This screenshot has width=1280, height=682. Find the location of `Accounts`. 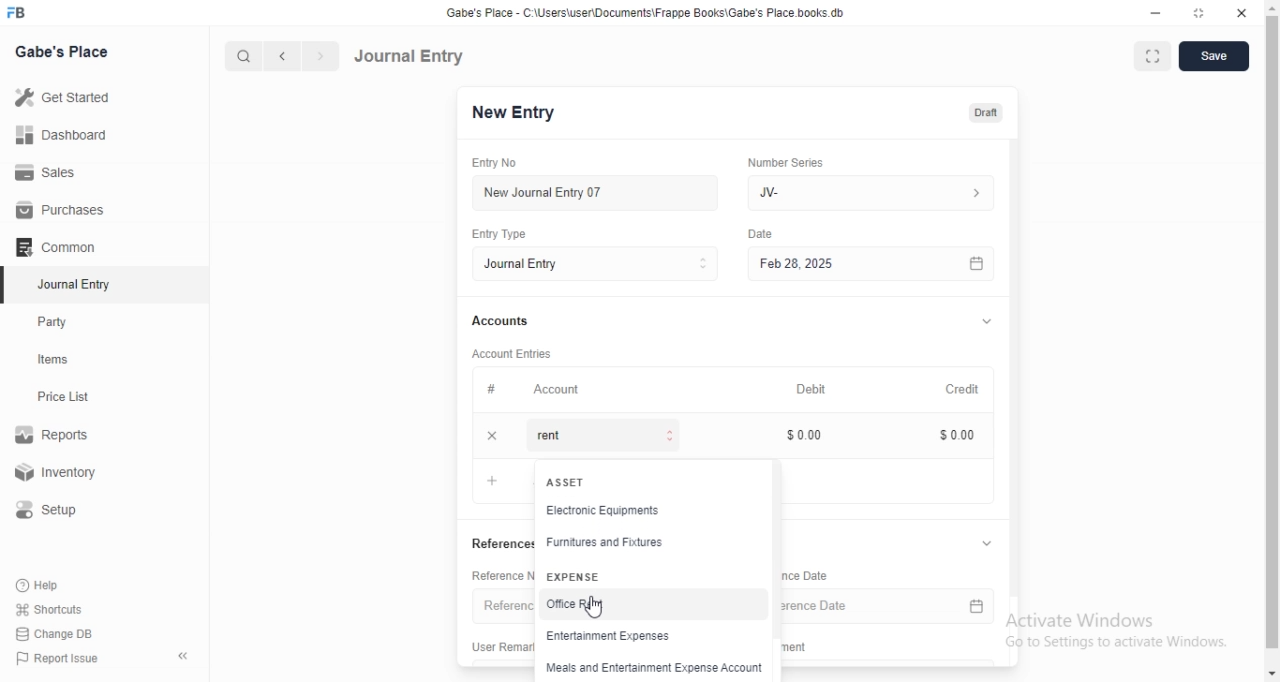

Accounts is located at coordinates (506, 321).